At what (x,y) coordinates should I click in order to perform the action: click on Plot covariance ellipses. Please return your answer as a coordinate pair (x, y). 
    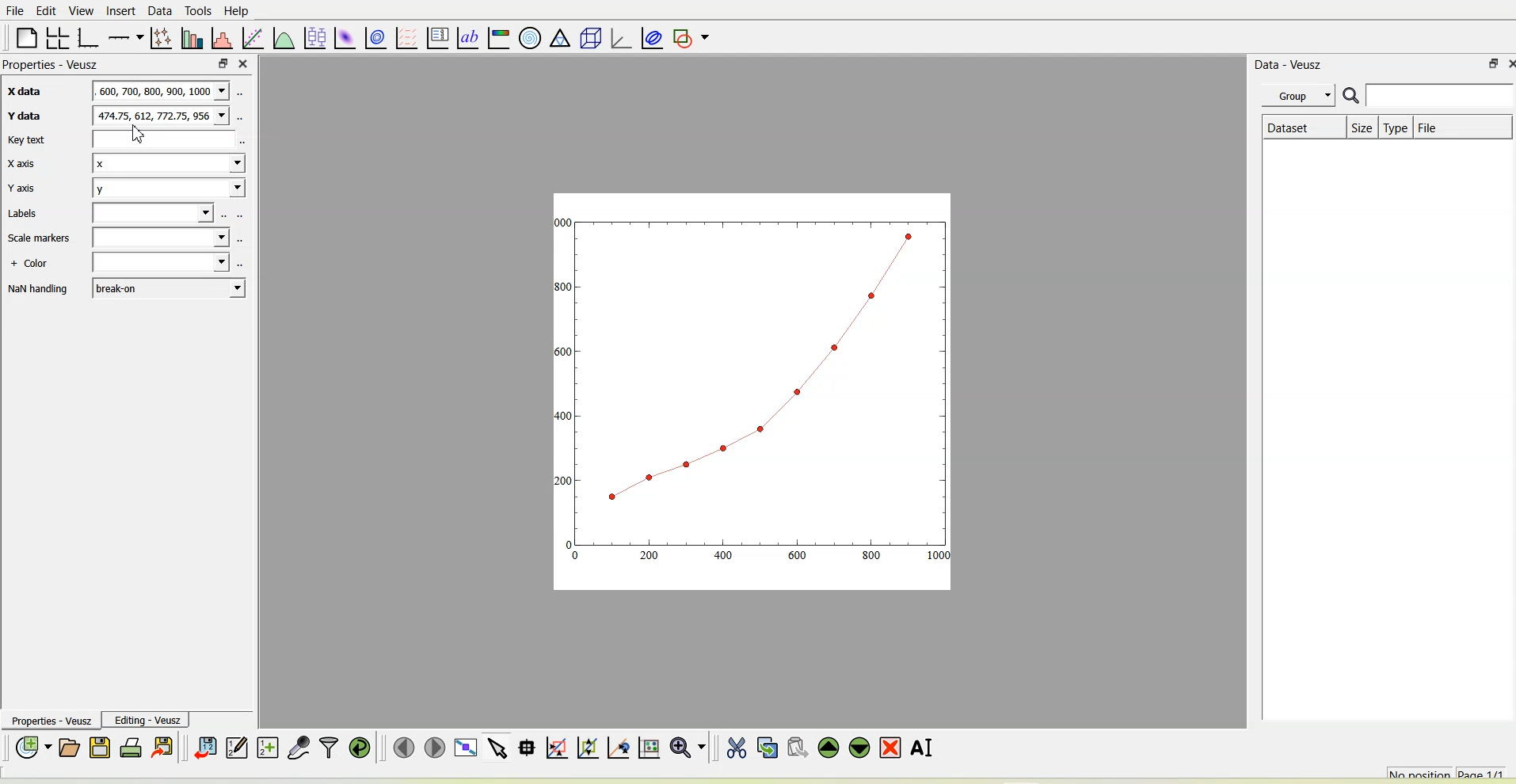
    Looking at the image, I should click on (650, 36).